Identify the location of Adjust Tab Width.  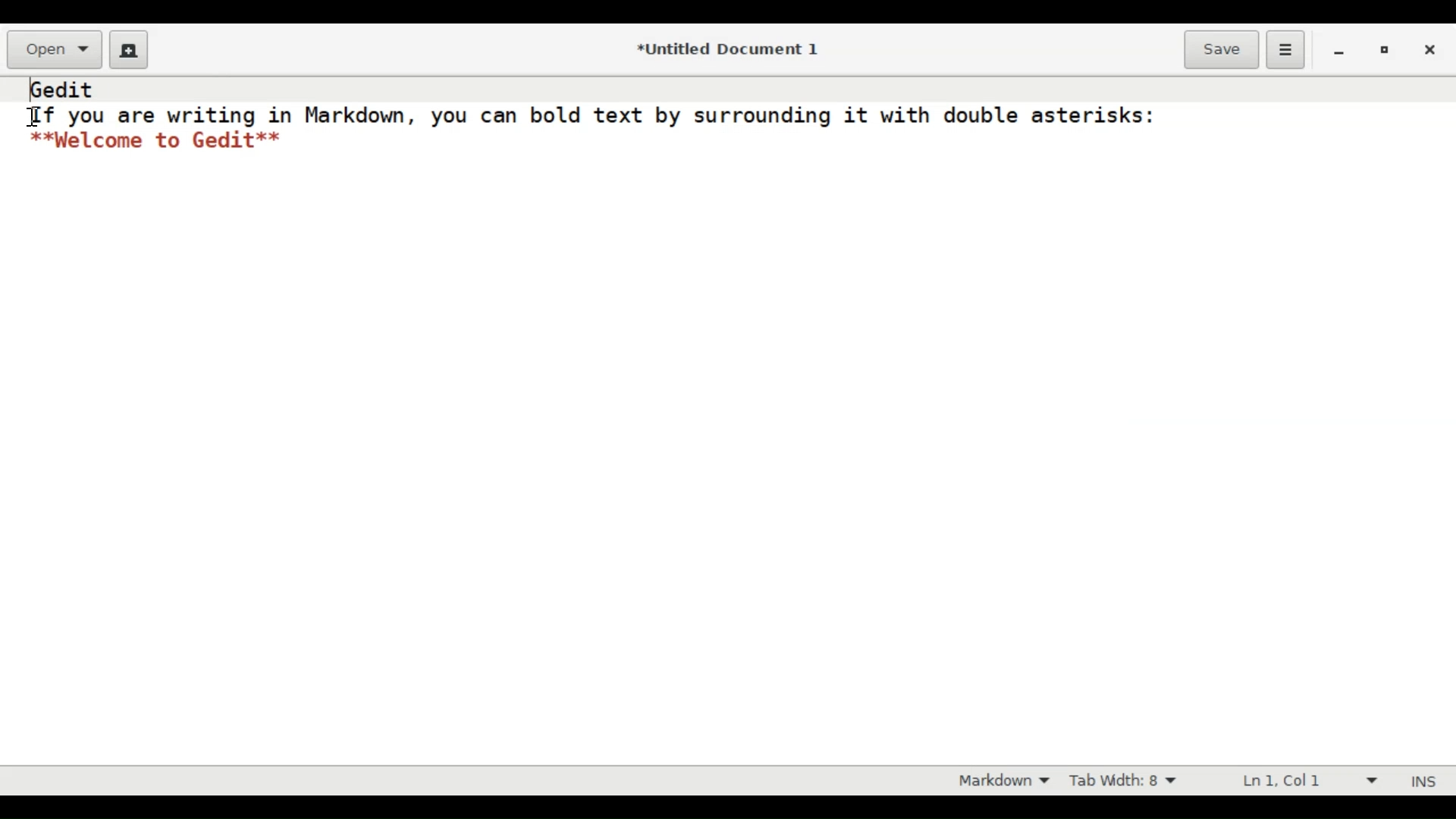
(1134, 780).